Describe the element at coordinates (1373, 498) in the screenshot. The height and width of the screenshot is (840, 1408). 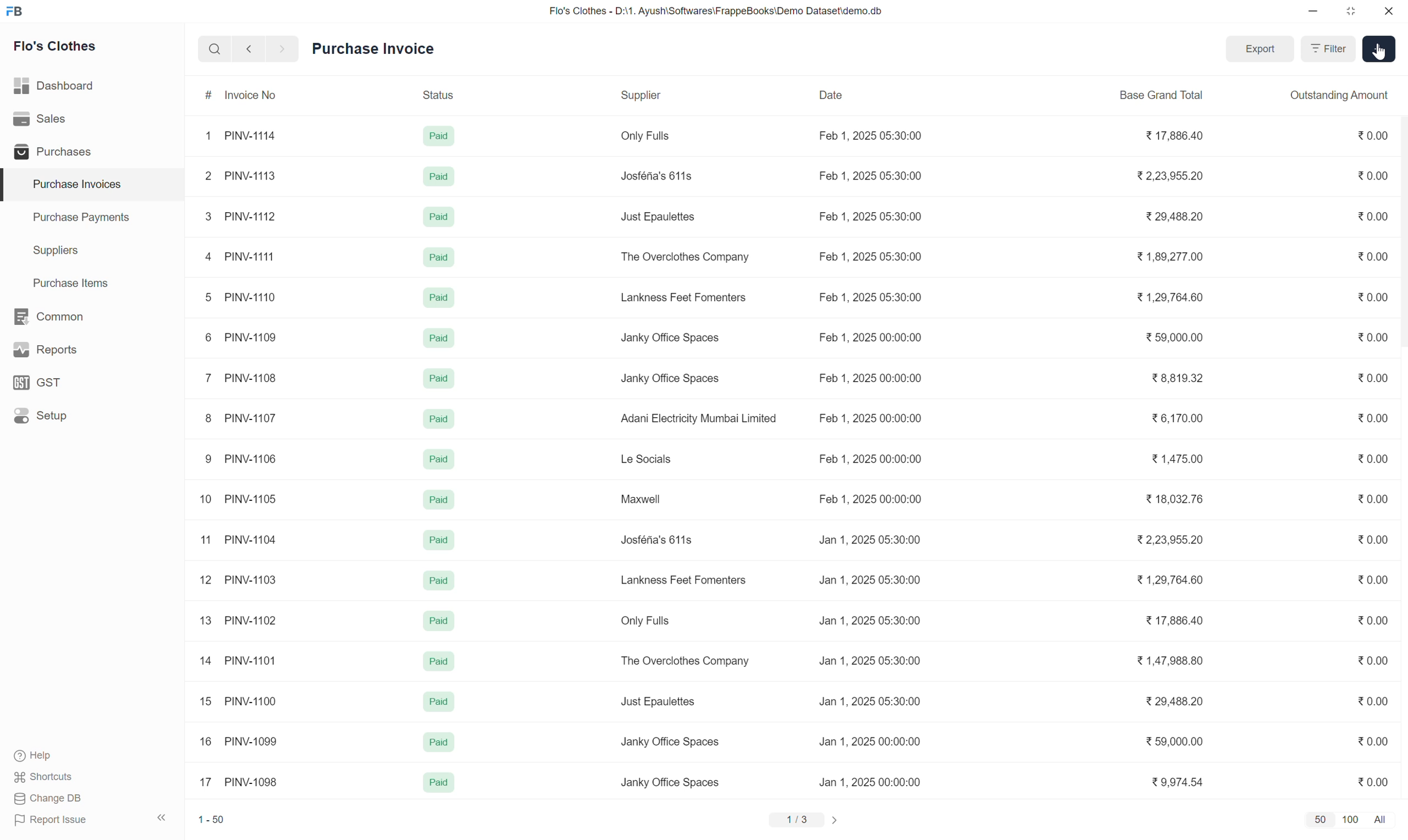
I see `0.00` at that location.